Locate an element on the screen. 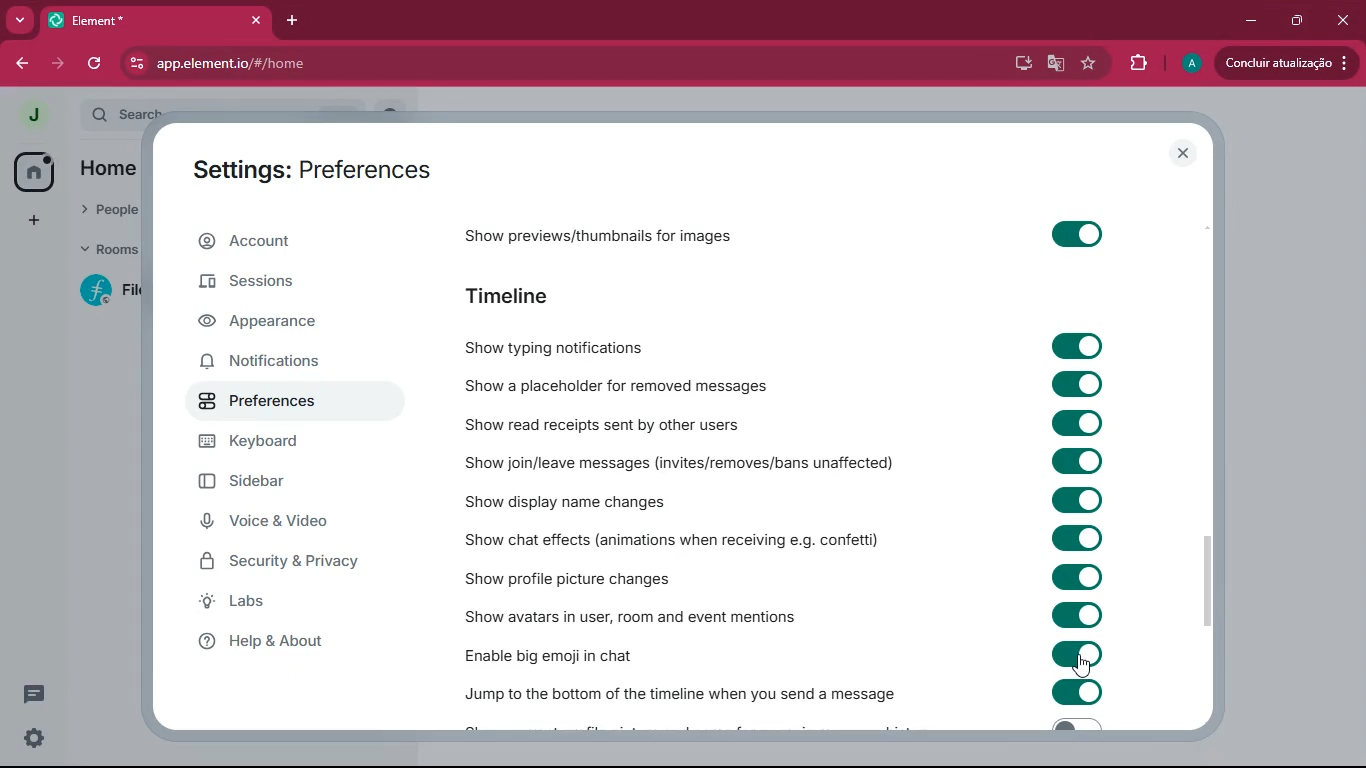 Image resolution: width=1366 pixels, height=768 pixels. appearance is located at coordinates (283, 324).